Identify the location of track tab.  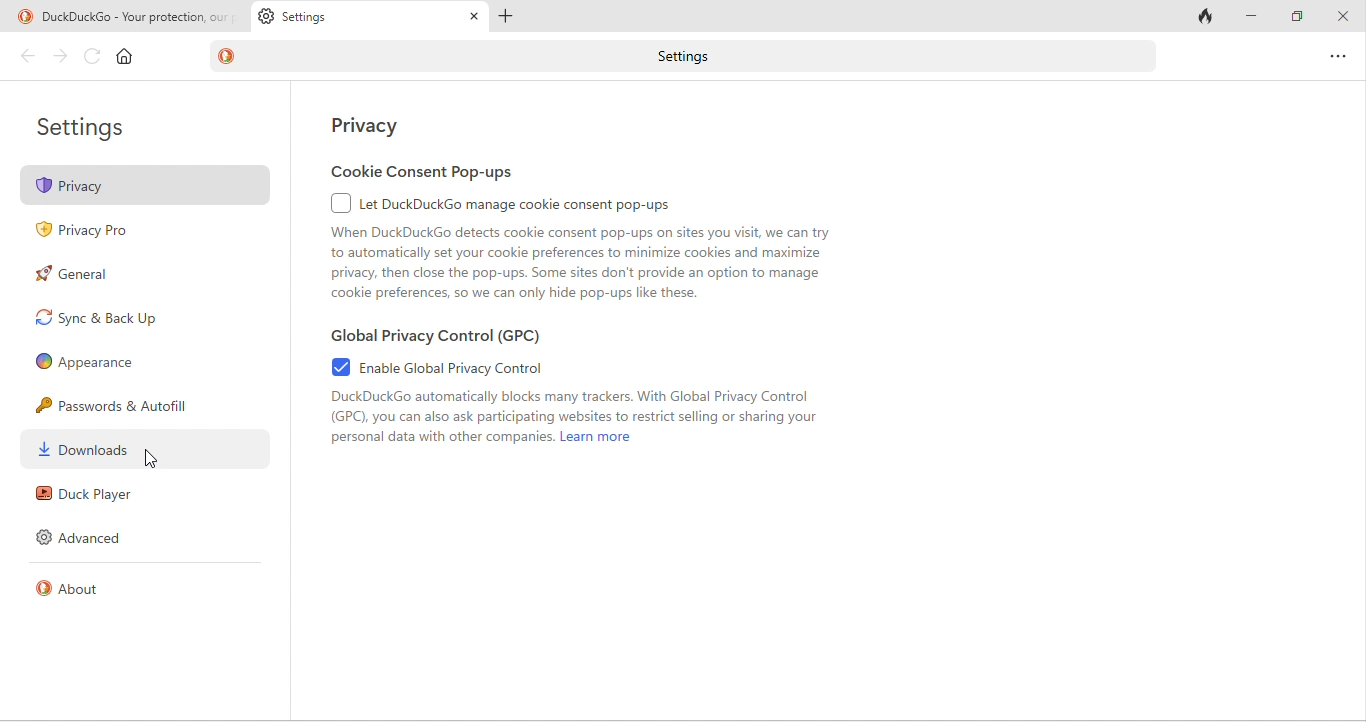
(1202, 18).